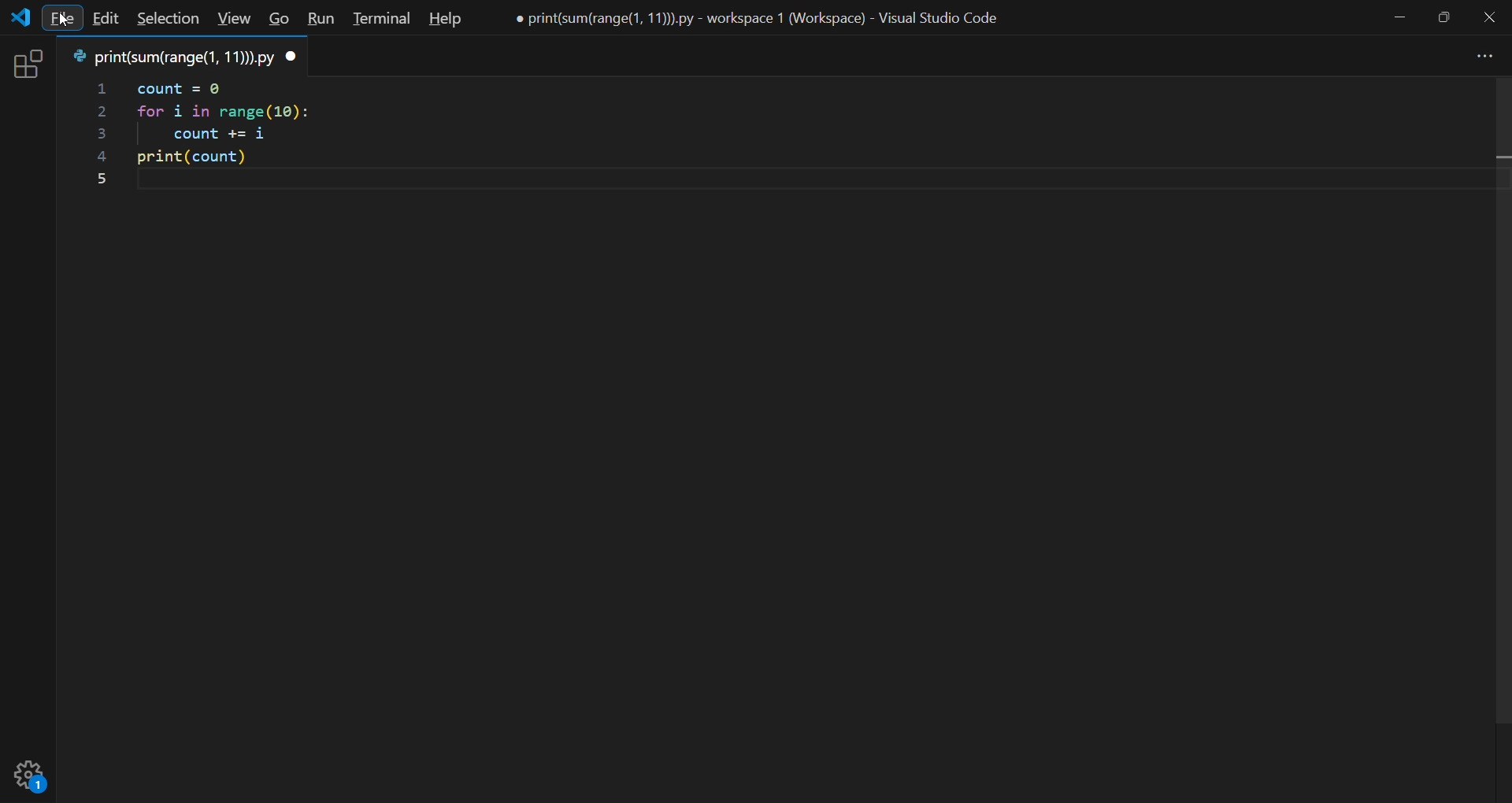 The height and width of the screenshot is (803, 1512). What do you see at coordinates (766, 18) in the screenshot?
I see `title` at bounding box center [766, 18].